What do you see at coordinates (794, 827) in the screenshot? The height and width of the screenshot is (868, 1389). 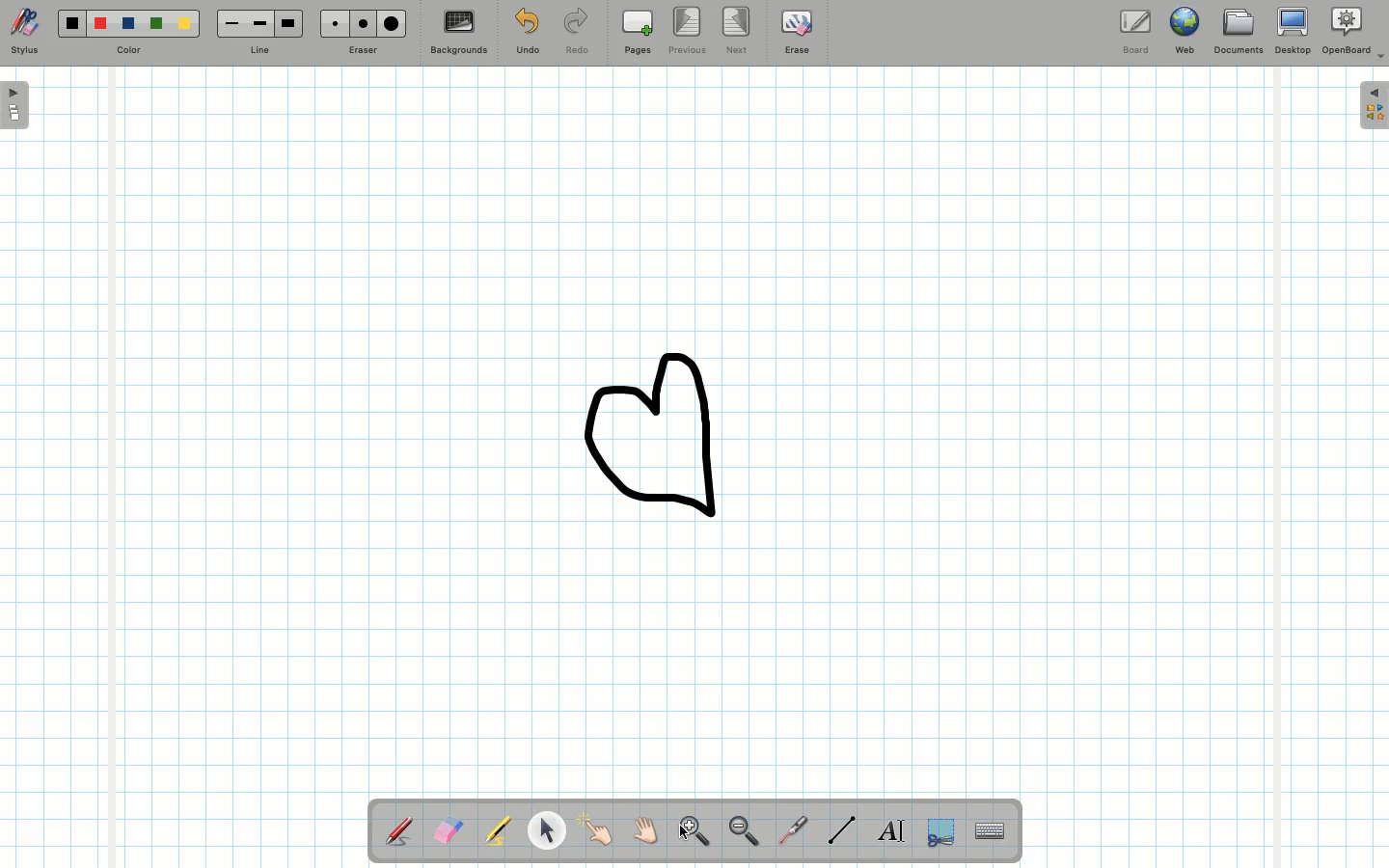 I see `Laser pointer` at bounding box center [794, 827].